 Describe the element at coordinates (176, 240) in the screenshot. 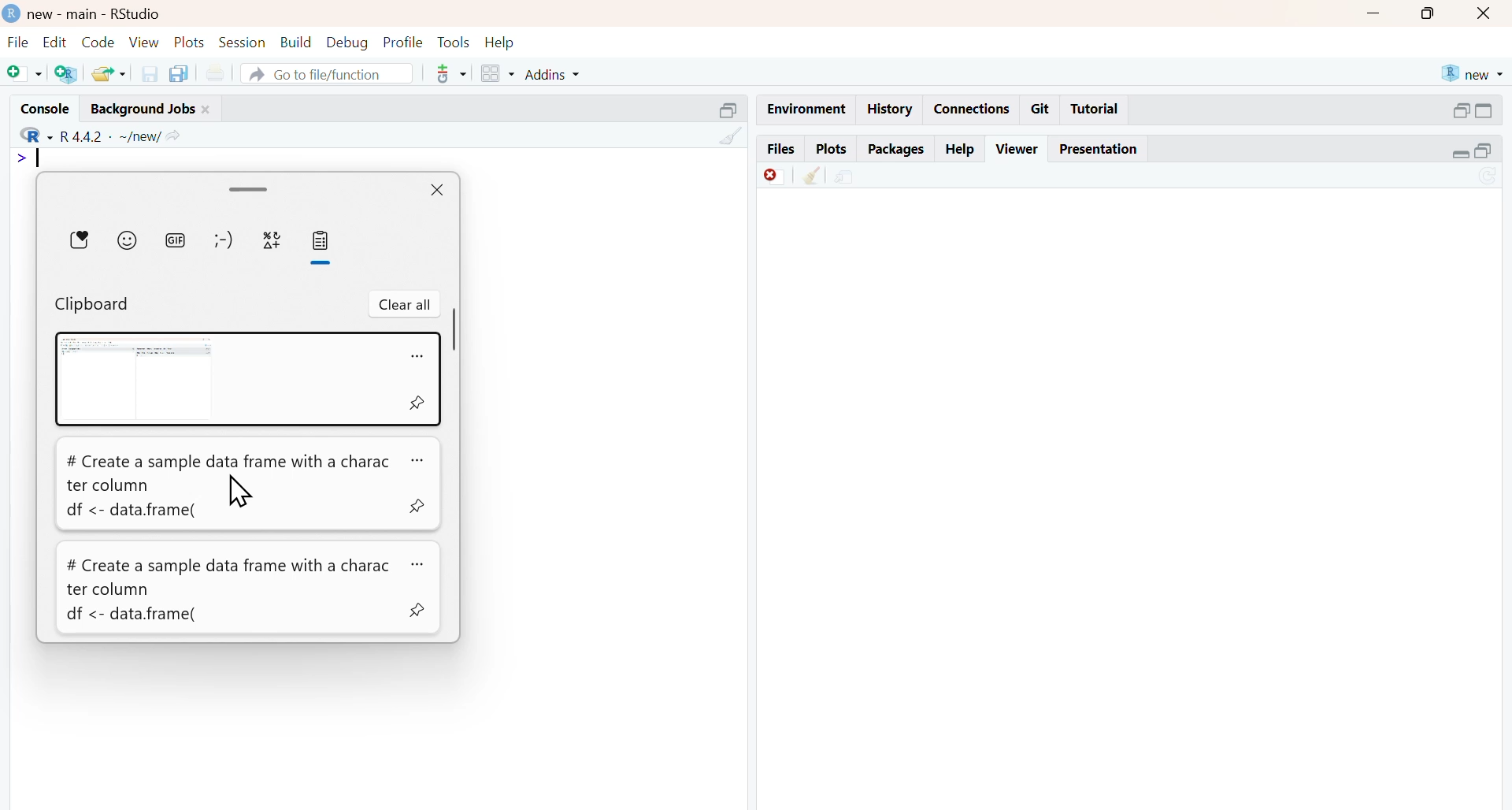

I see `gif` at that location.